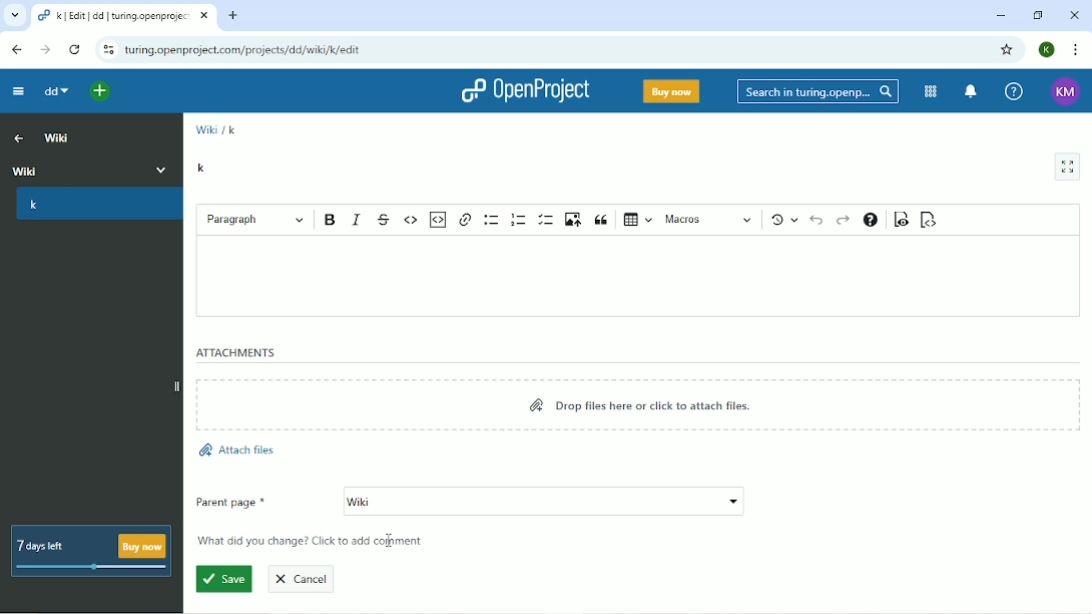  What do you see at coordinates (493, 219) in the screenshot?
I see `Bulleted list` at bounding box center [493, 219].